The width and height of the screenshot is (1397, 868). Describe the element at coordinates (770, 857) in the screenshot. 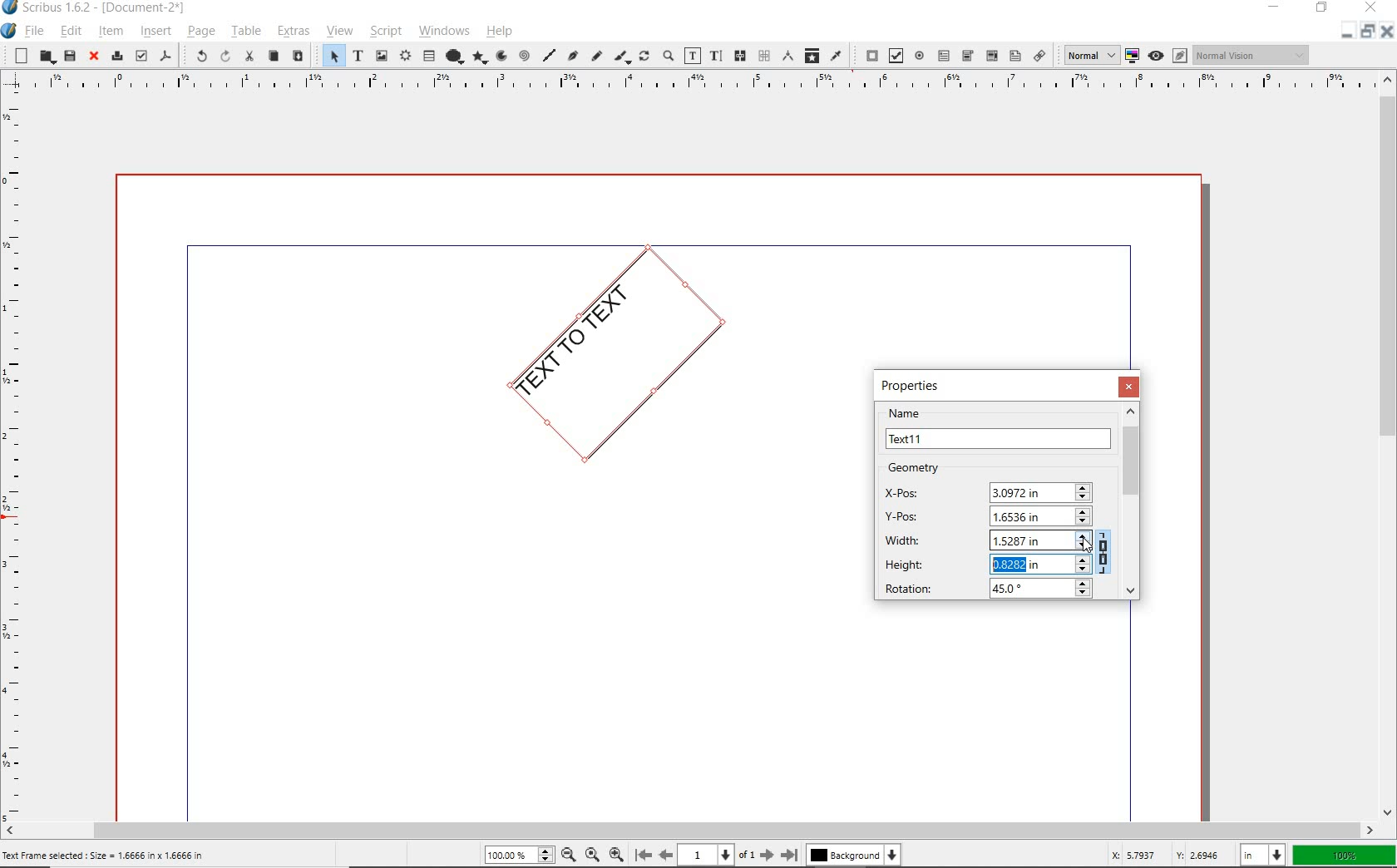

I see `move to next` at that location.